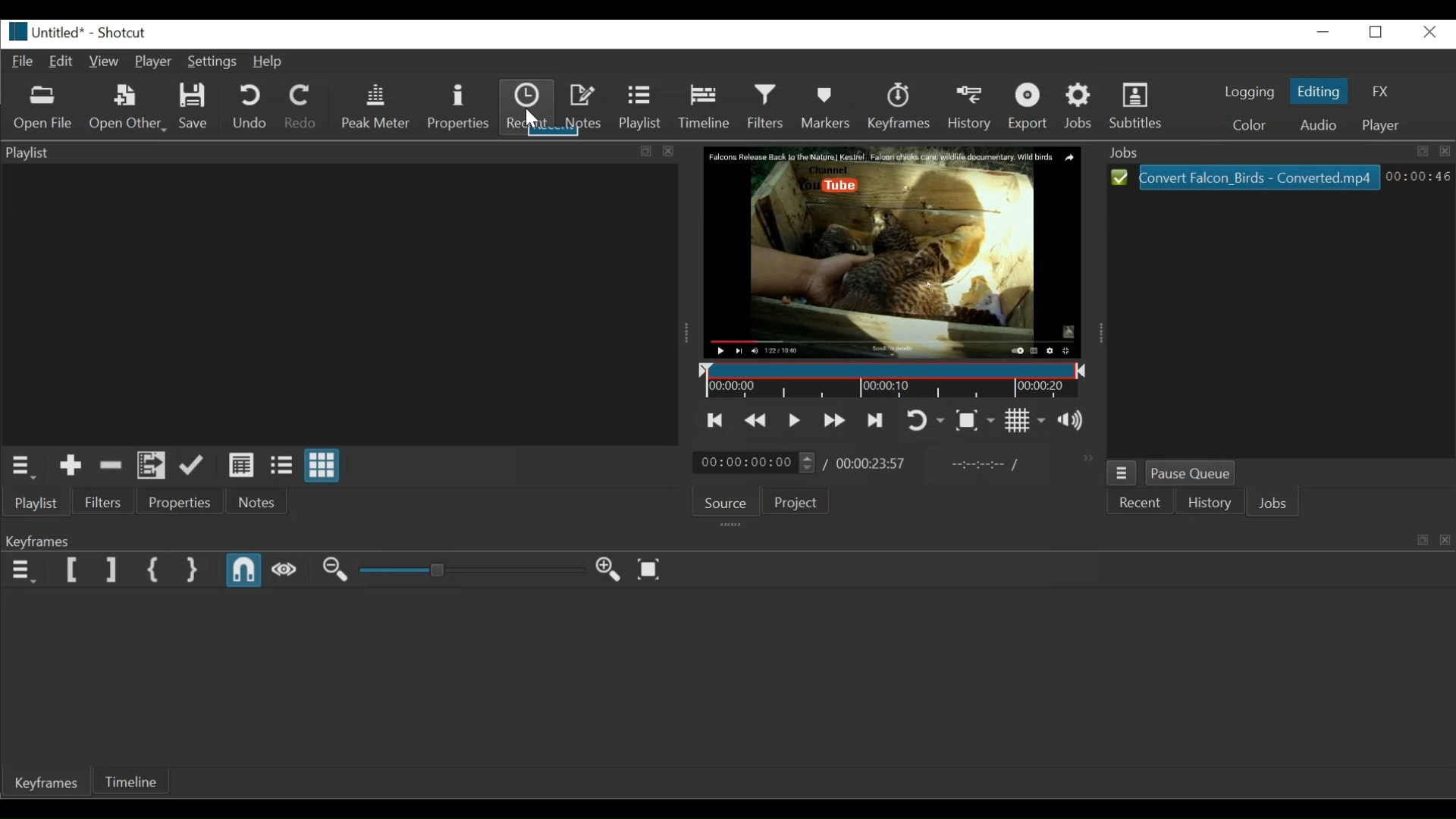 This screenshot has width=1456, height=819. I want to click on Jobs Menu, so click(1081, 104).